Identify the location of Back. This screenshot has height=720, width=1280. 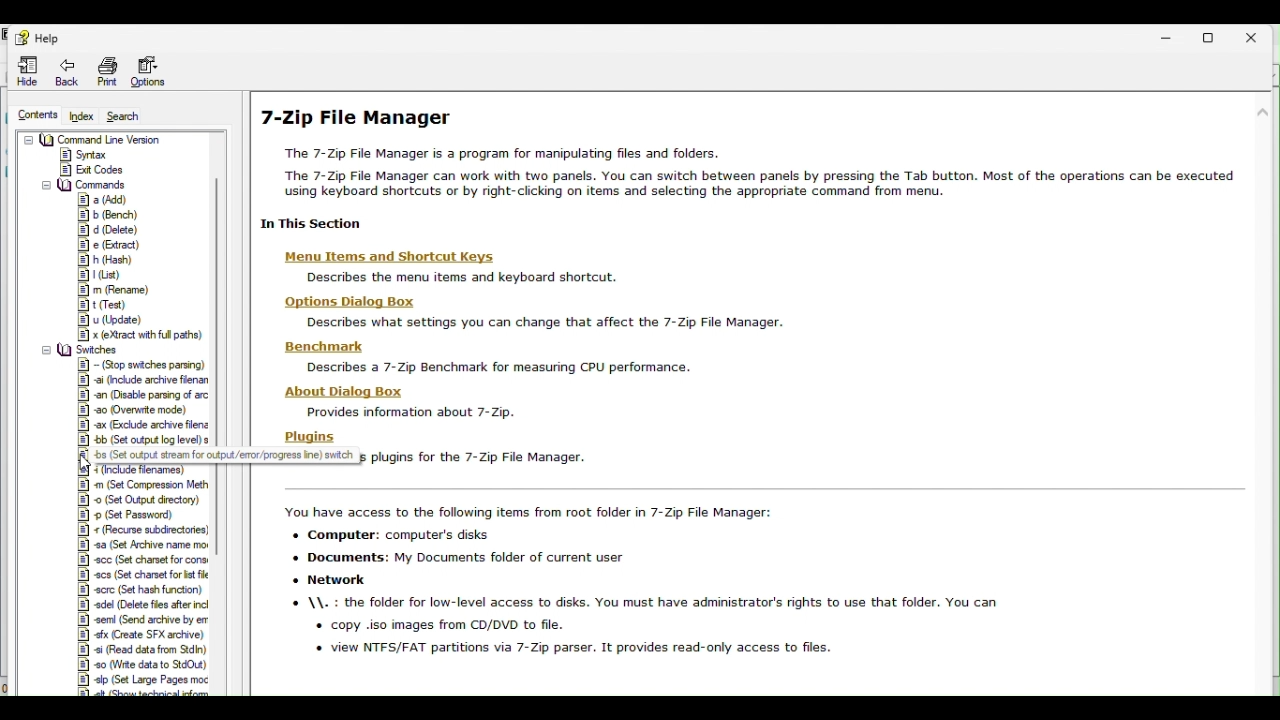
(72, 76).